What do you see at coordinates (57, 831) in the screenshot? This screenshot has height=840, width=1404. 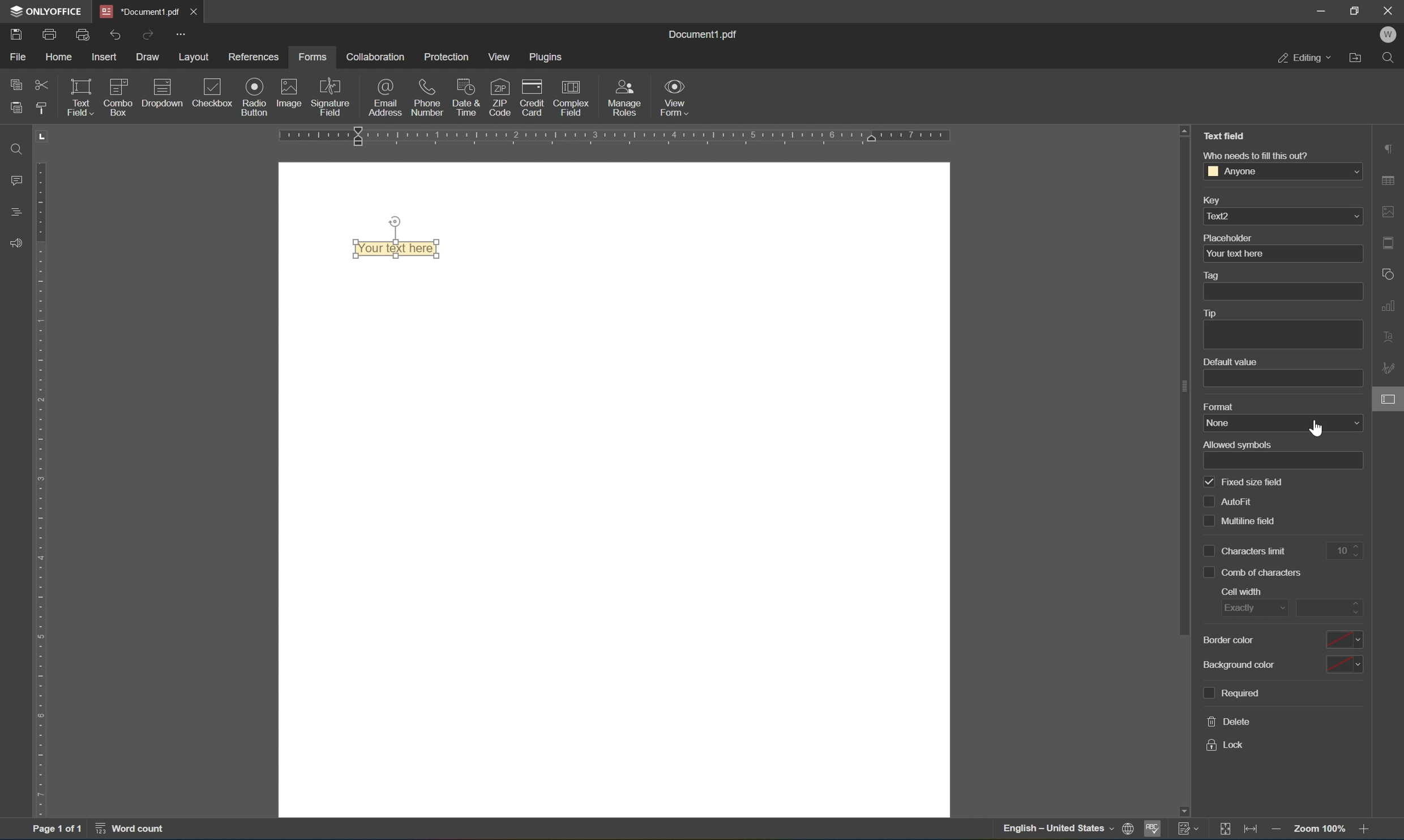 I see `page 1 of 1` at bounding box center [57, 831].